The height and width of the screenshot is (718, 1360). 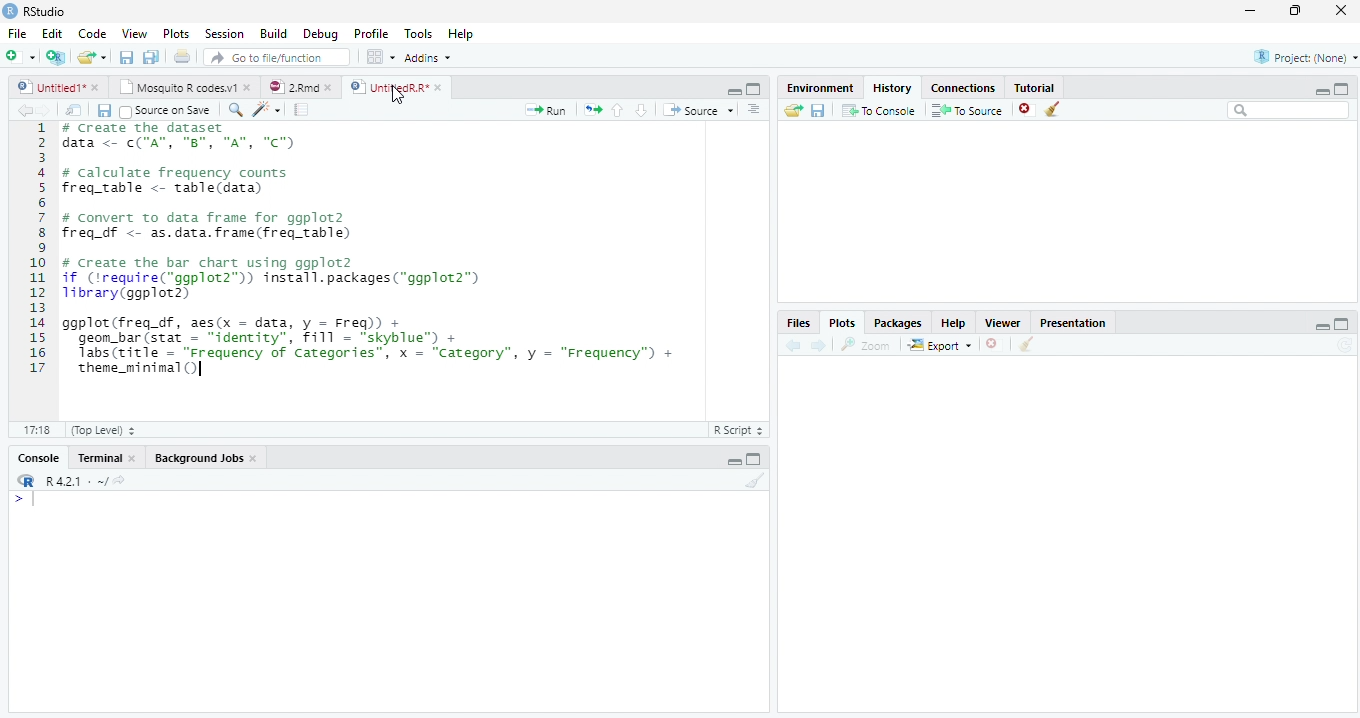 I want to click on Maximize, so click(x=1343, y=324).